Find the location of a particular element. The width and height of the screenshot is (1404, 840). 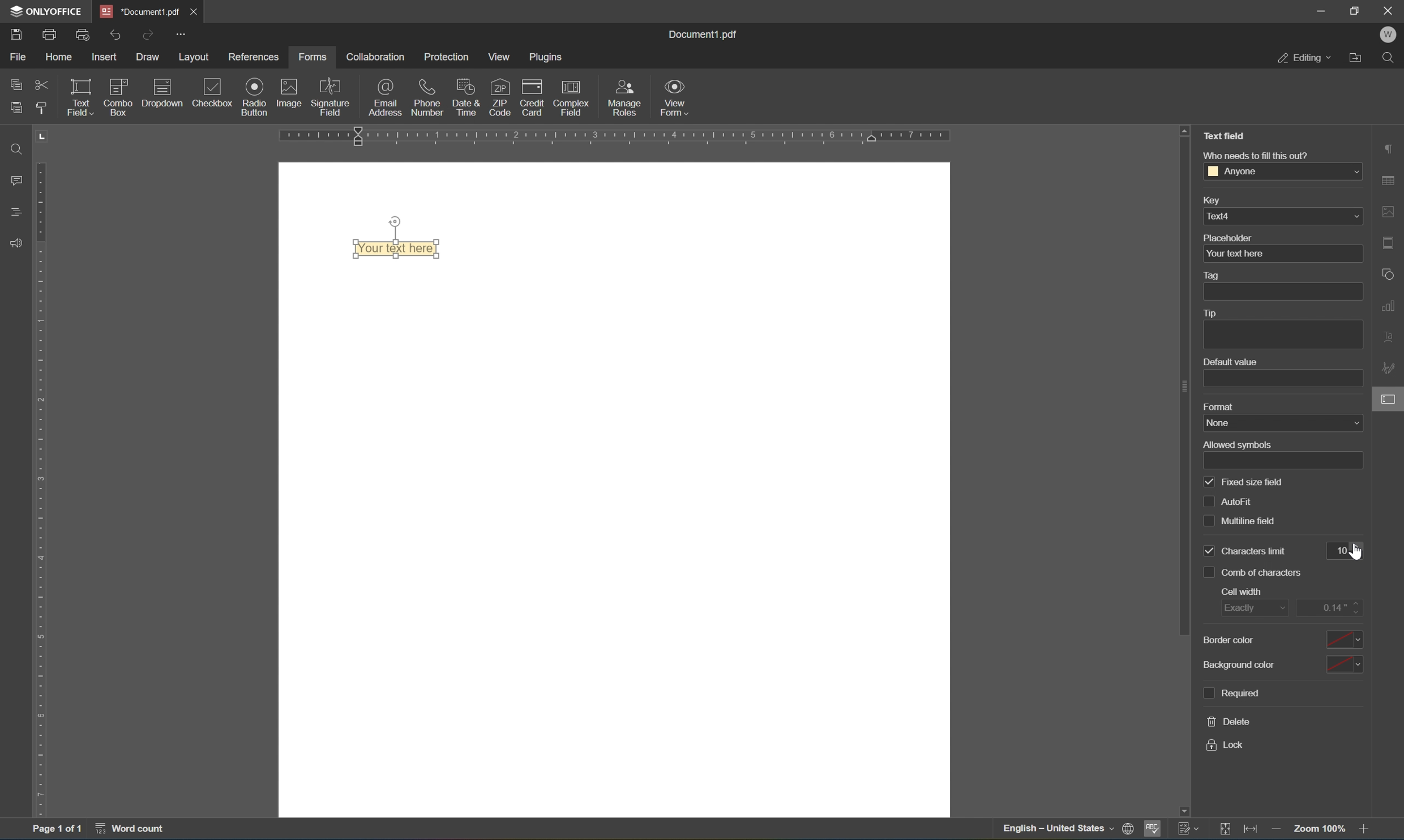

checkbox is located at coordinates (1206, 569).